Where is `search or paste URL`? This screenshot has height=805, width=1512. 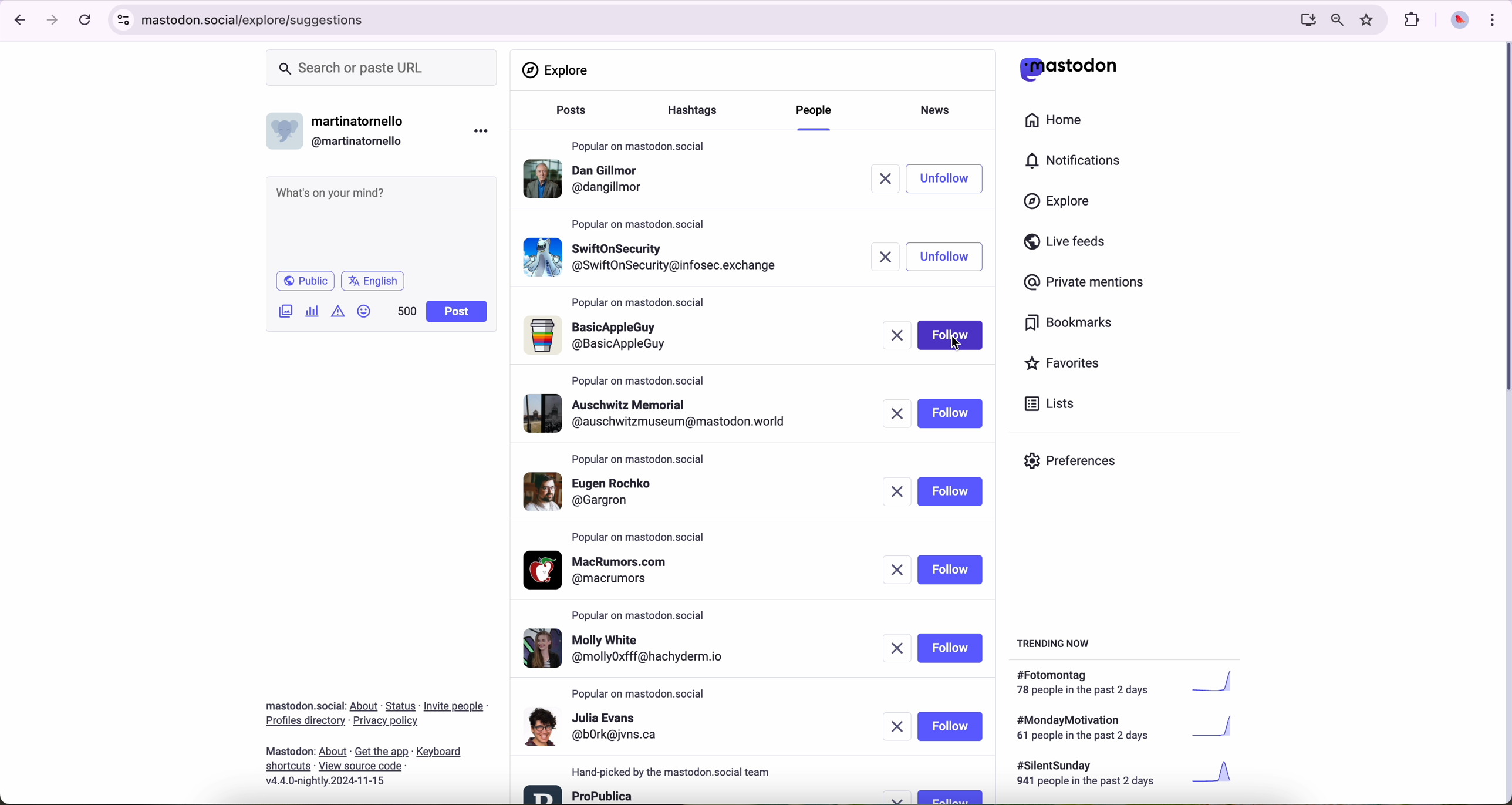 search or paste URL is located at coordinates (382, 68).